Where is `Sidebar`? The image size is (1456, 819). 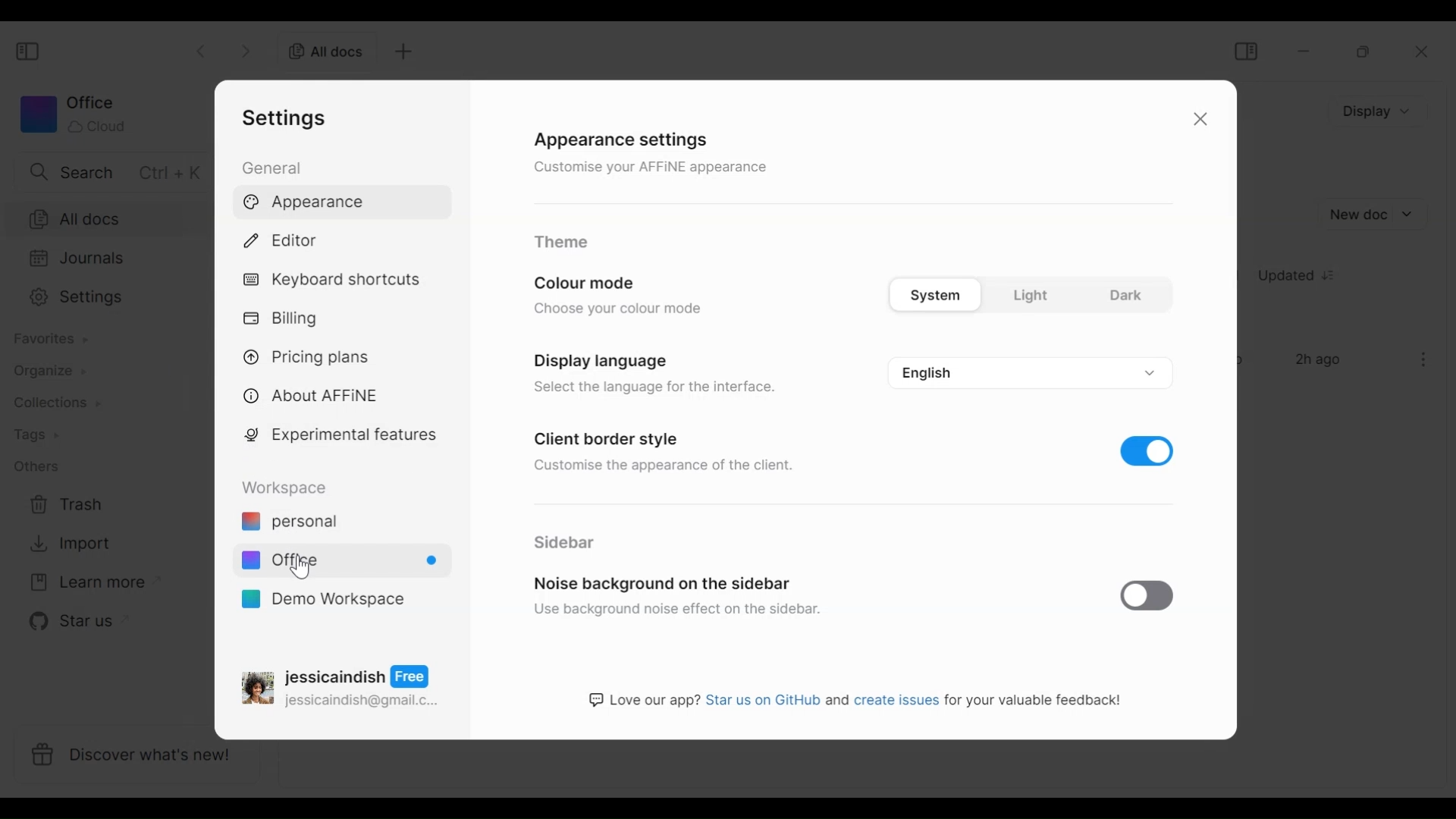
Sidebar is located at coordinates (562, 540).